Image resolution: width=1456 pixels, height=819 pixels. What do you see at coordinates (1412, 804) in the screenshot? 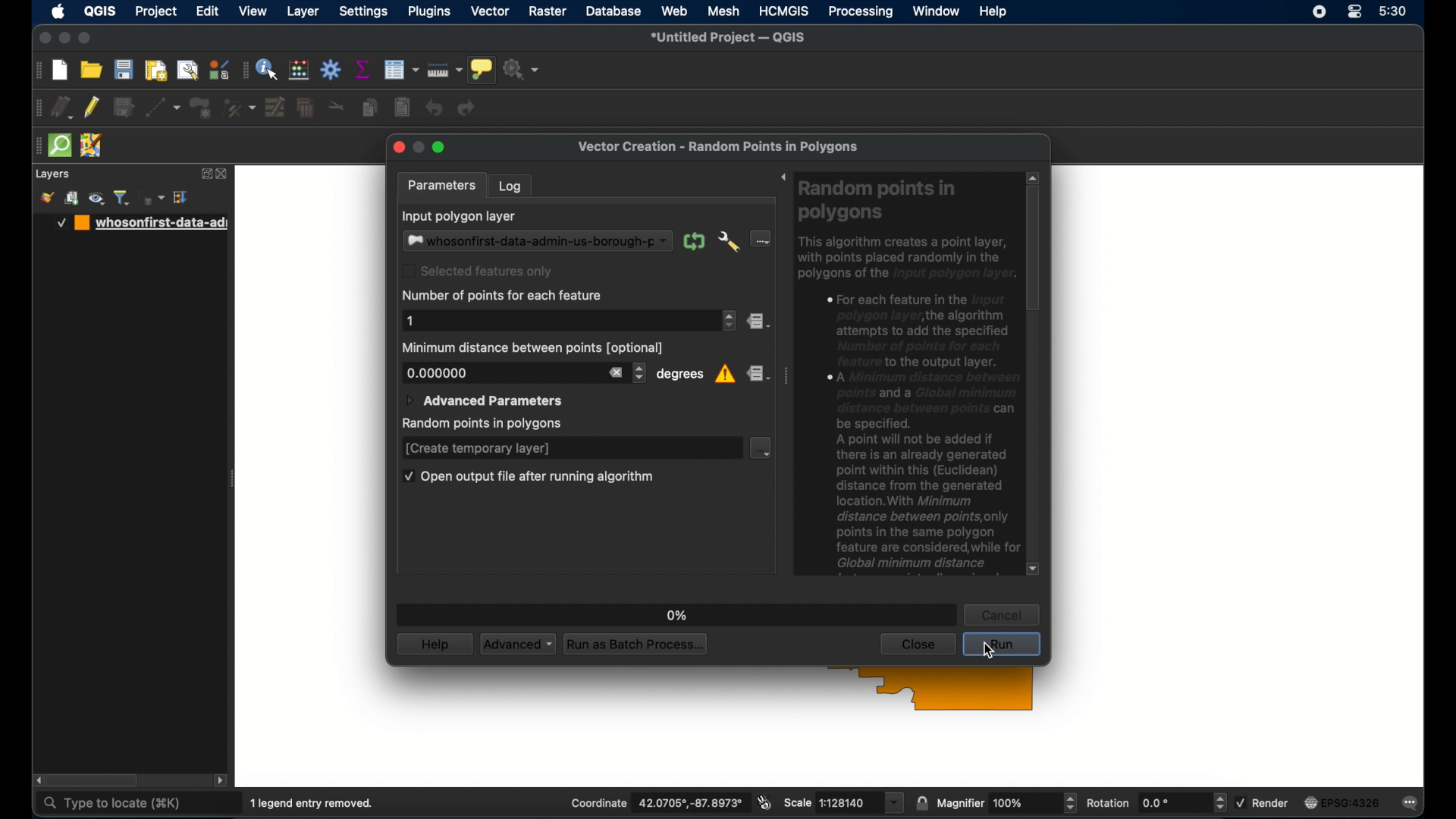
I see `messages` at bounding box center [1412, 804].